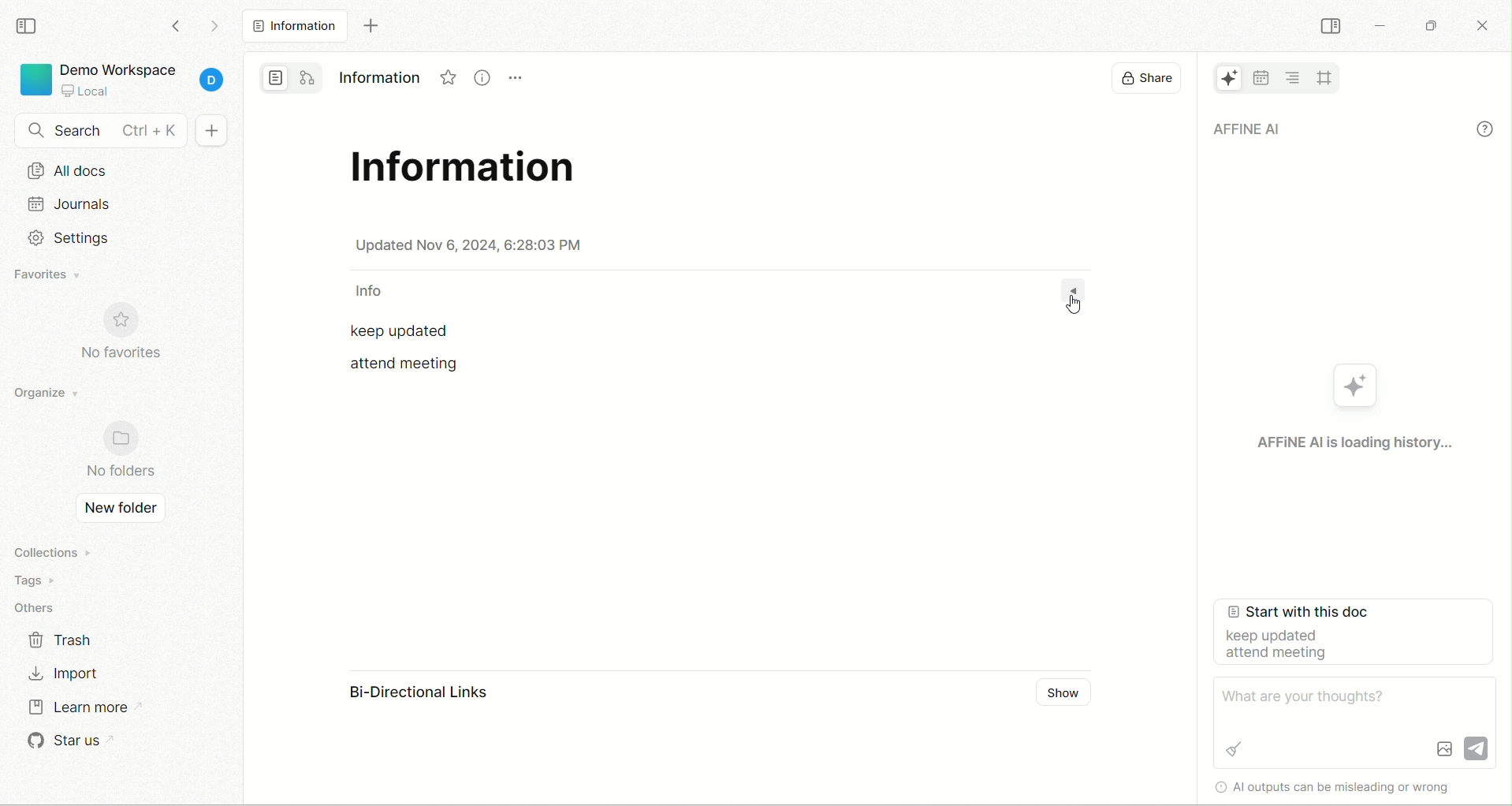  What do you see at coordinates (470, 245) in the screenshot?
I see `date & time` at bounding box center [470, 245].